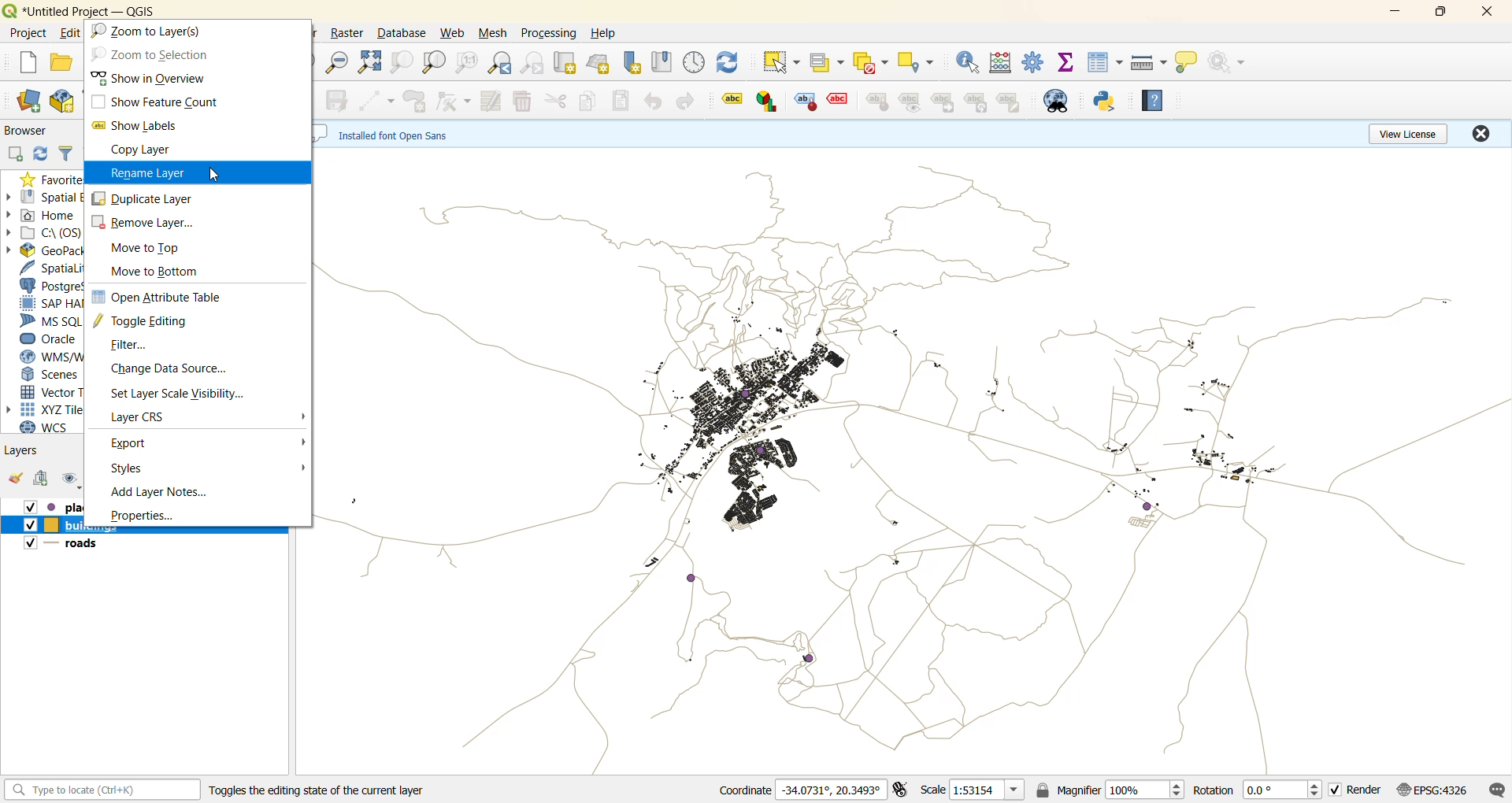 The image size is (1512, 803). What do you see at coordinates (335, 63) in the screenshot?
I see `zoom out` at bounding box center [335, 63].